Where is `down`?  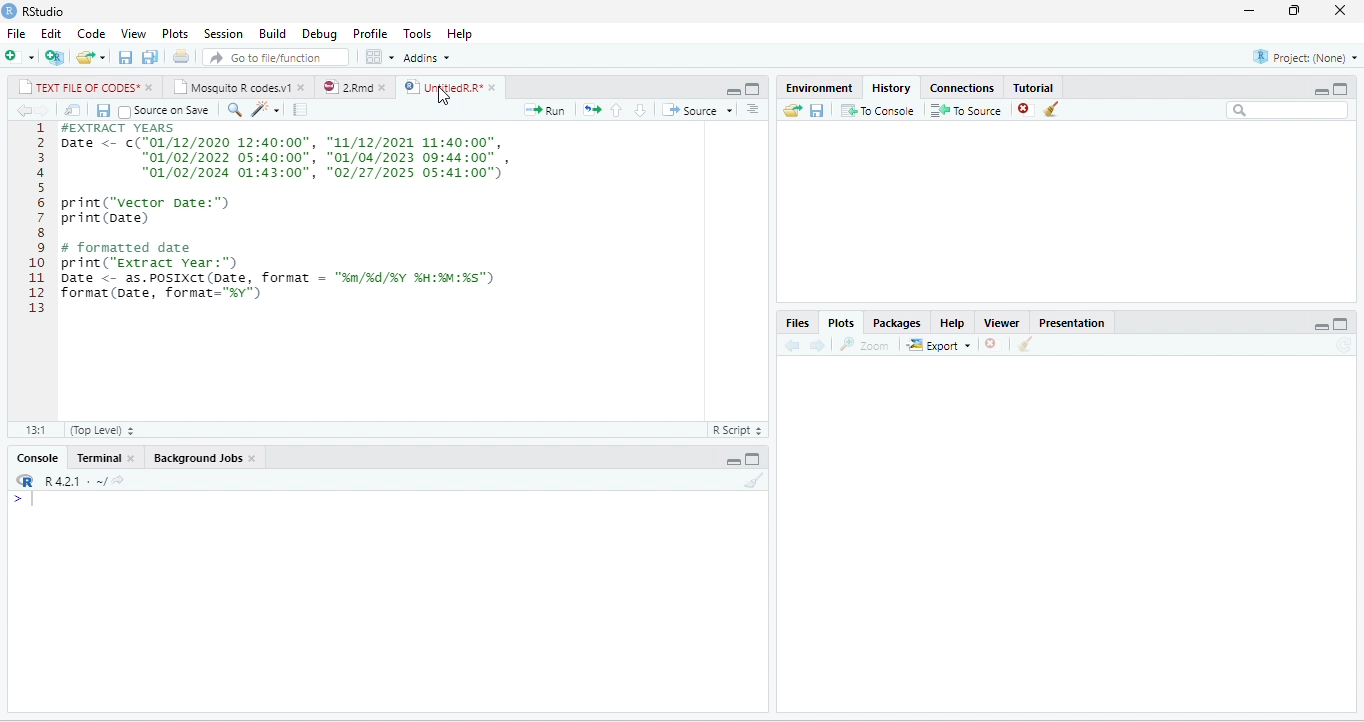 down is located at coordinates (640, 110).